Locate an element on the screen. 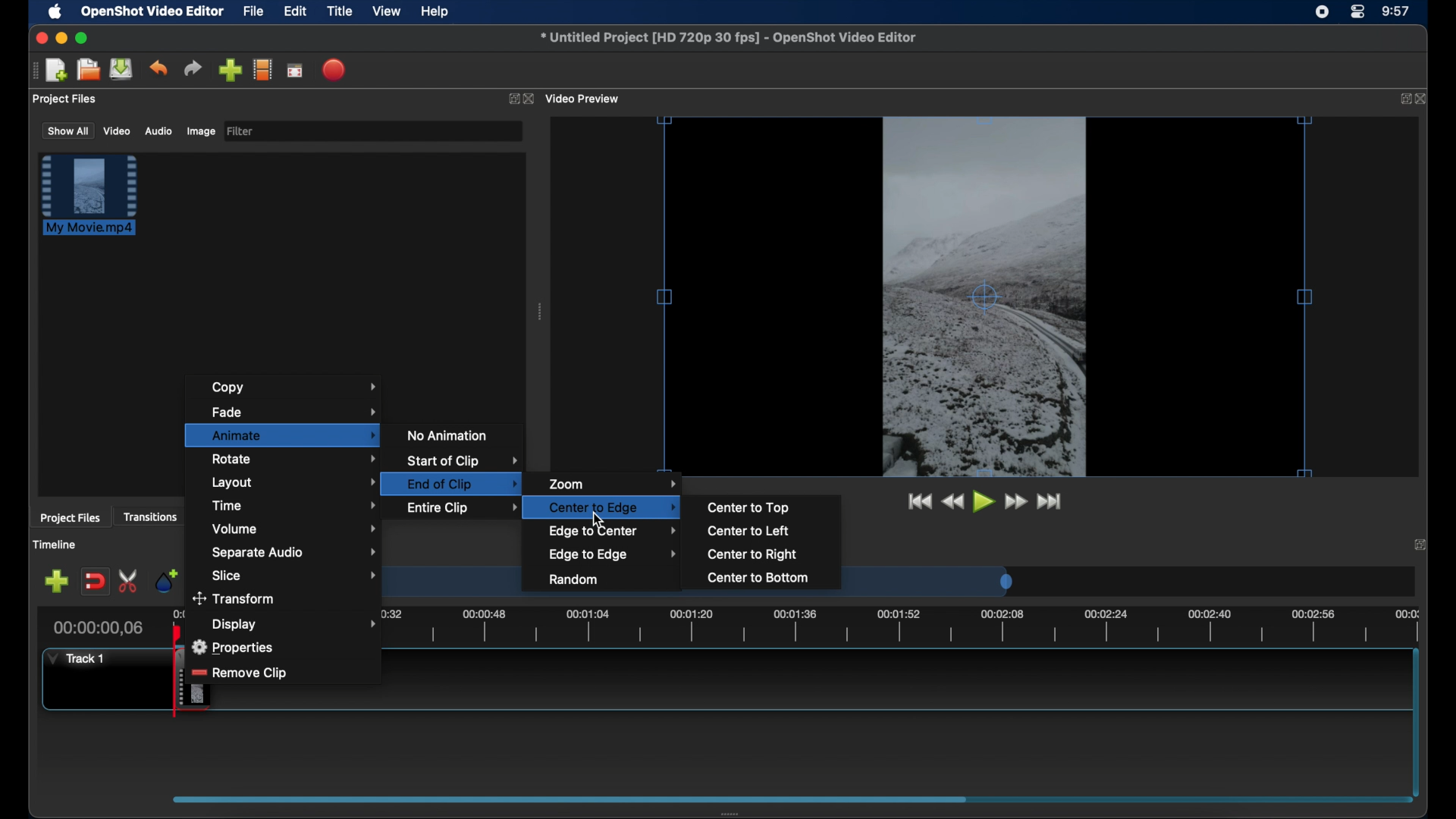  edge to edge menu is located at coordinates (613, 555).